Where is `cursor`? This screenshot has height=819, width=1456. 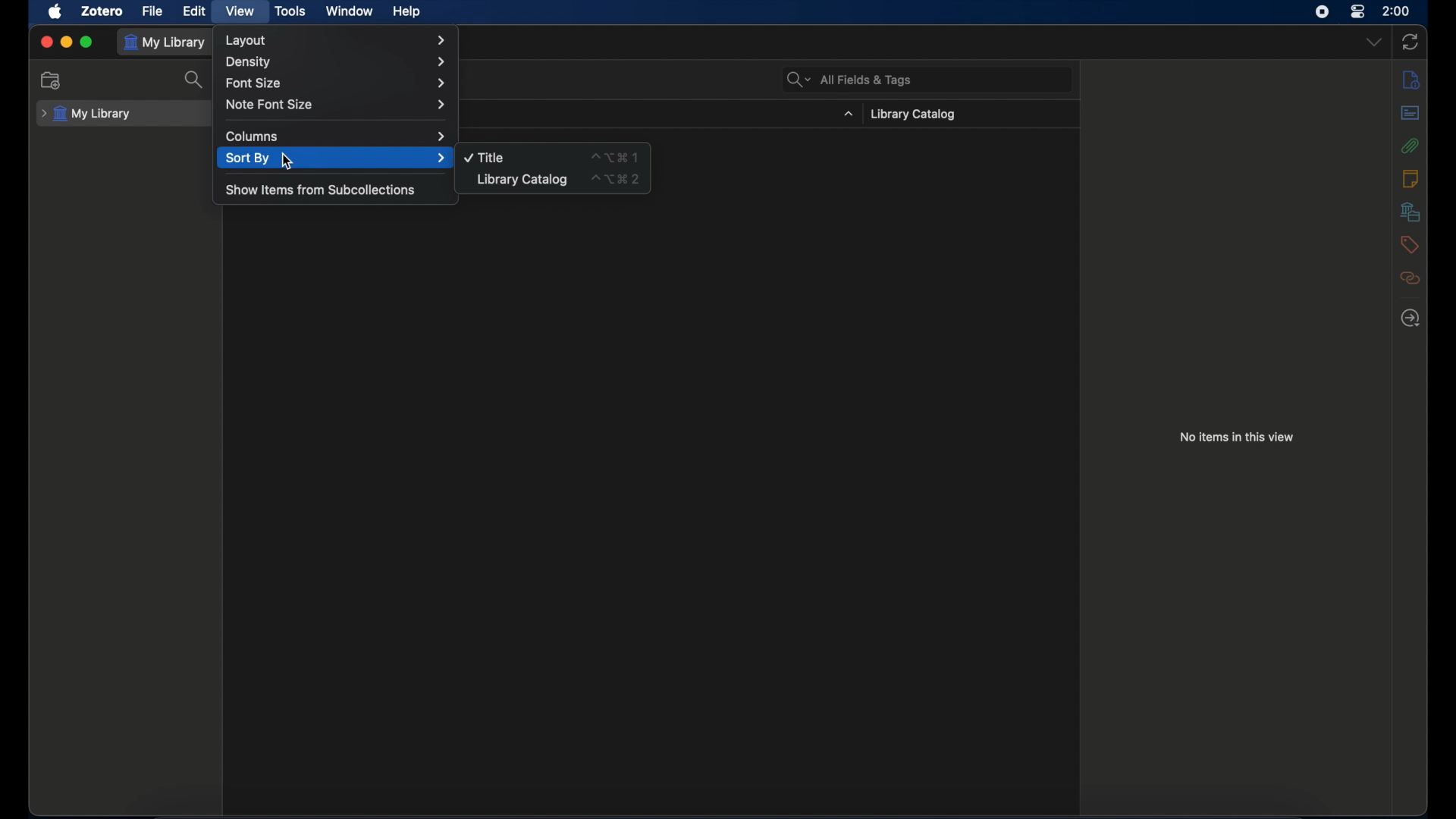 cursor is located at coordinates (287, 162).